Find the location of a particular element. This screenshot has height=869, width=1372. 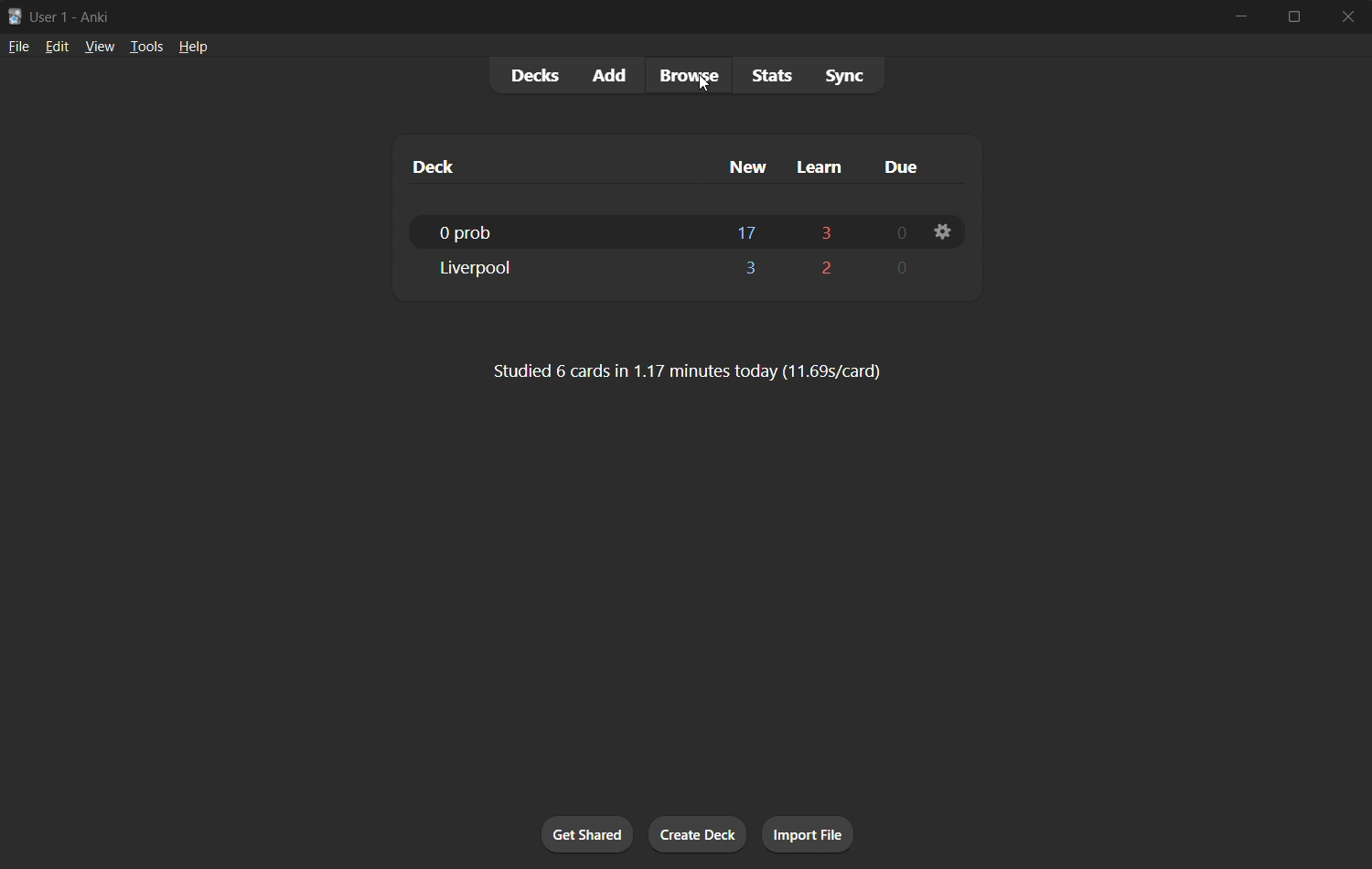

2 is located at coordinates (827, 271).